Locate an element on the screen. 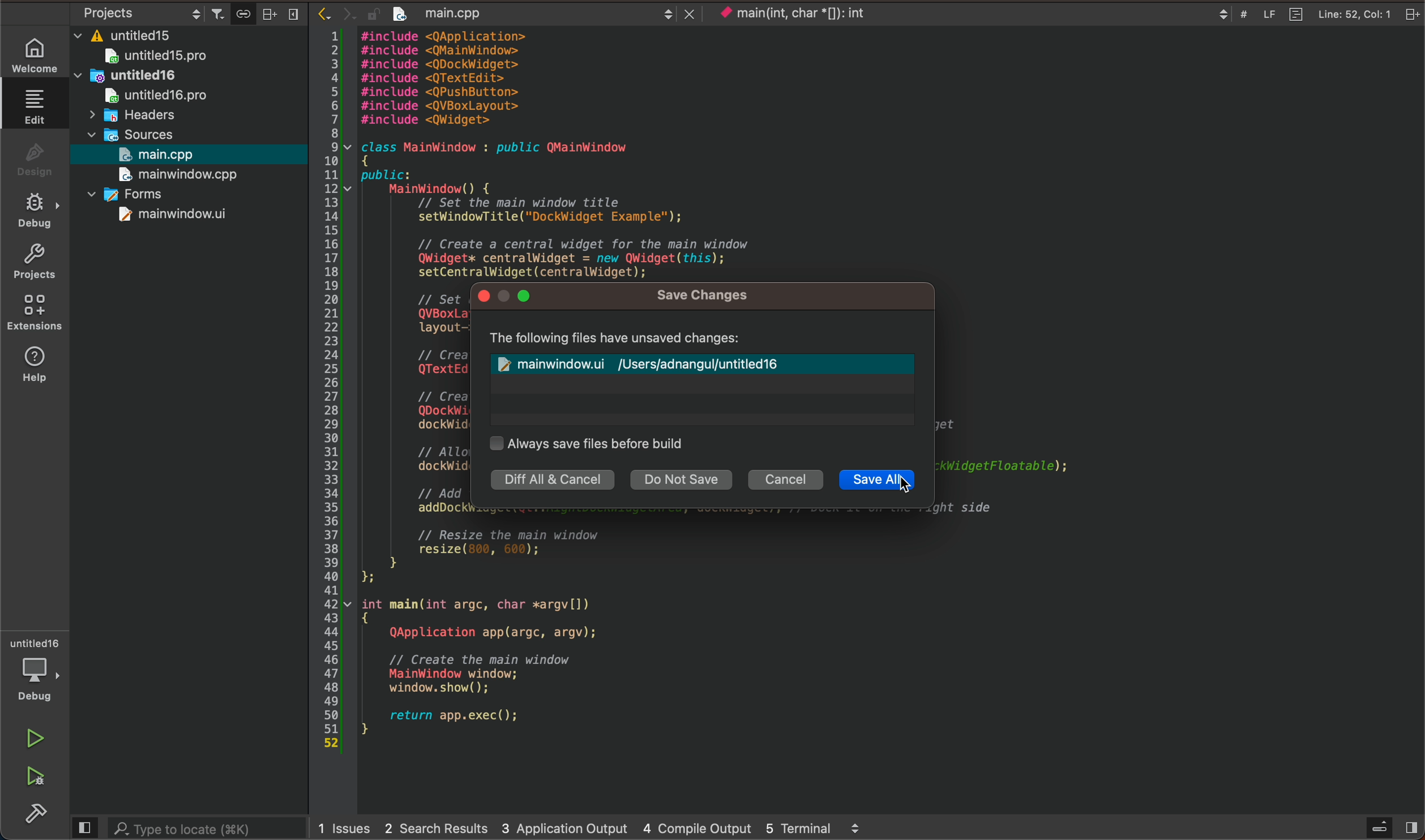  arrows is located at coordinates (340, 12).